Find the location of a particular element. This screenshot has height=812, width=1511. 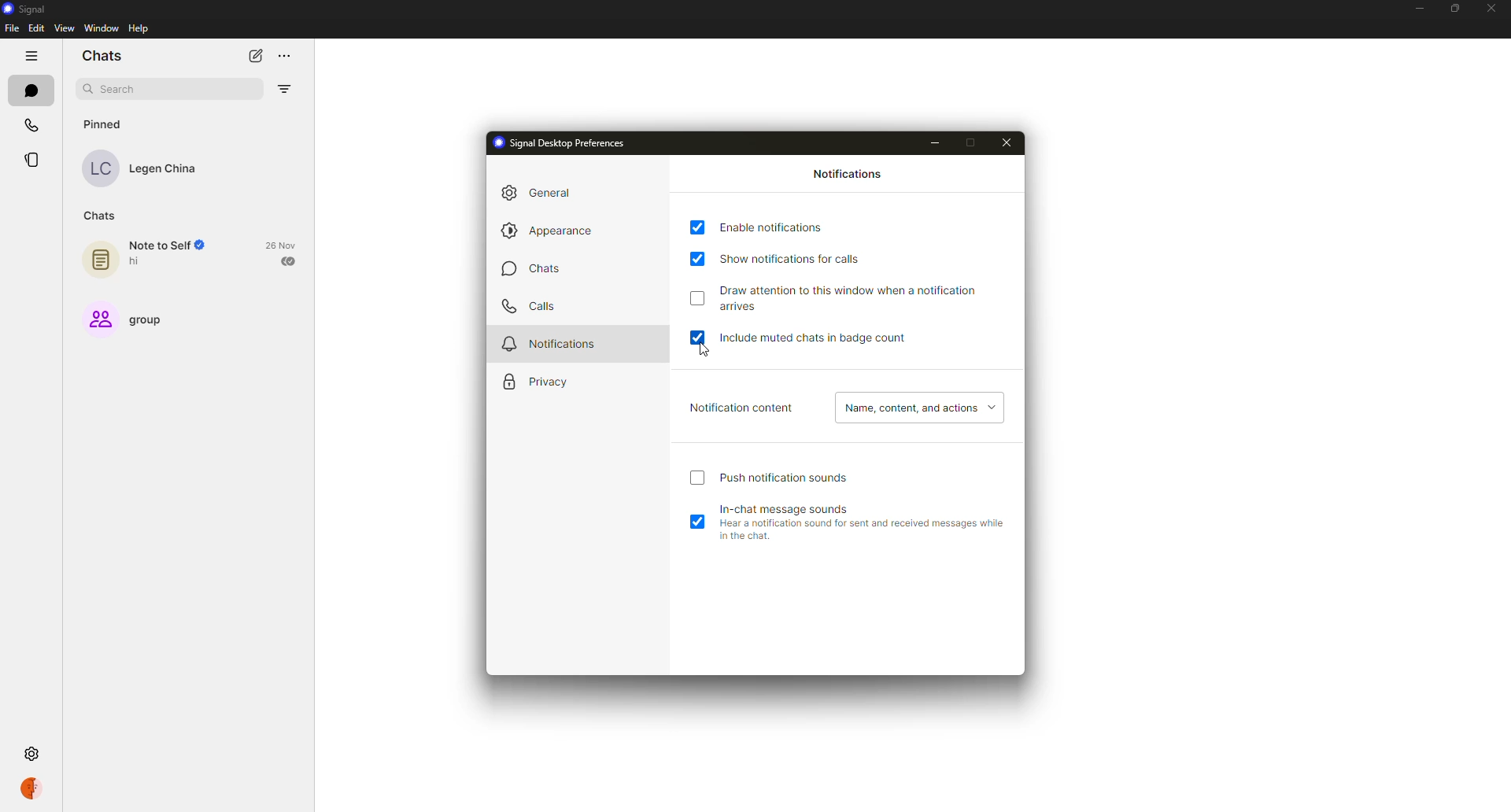

notifications is located at coordinates (555, 341).